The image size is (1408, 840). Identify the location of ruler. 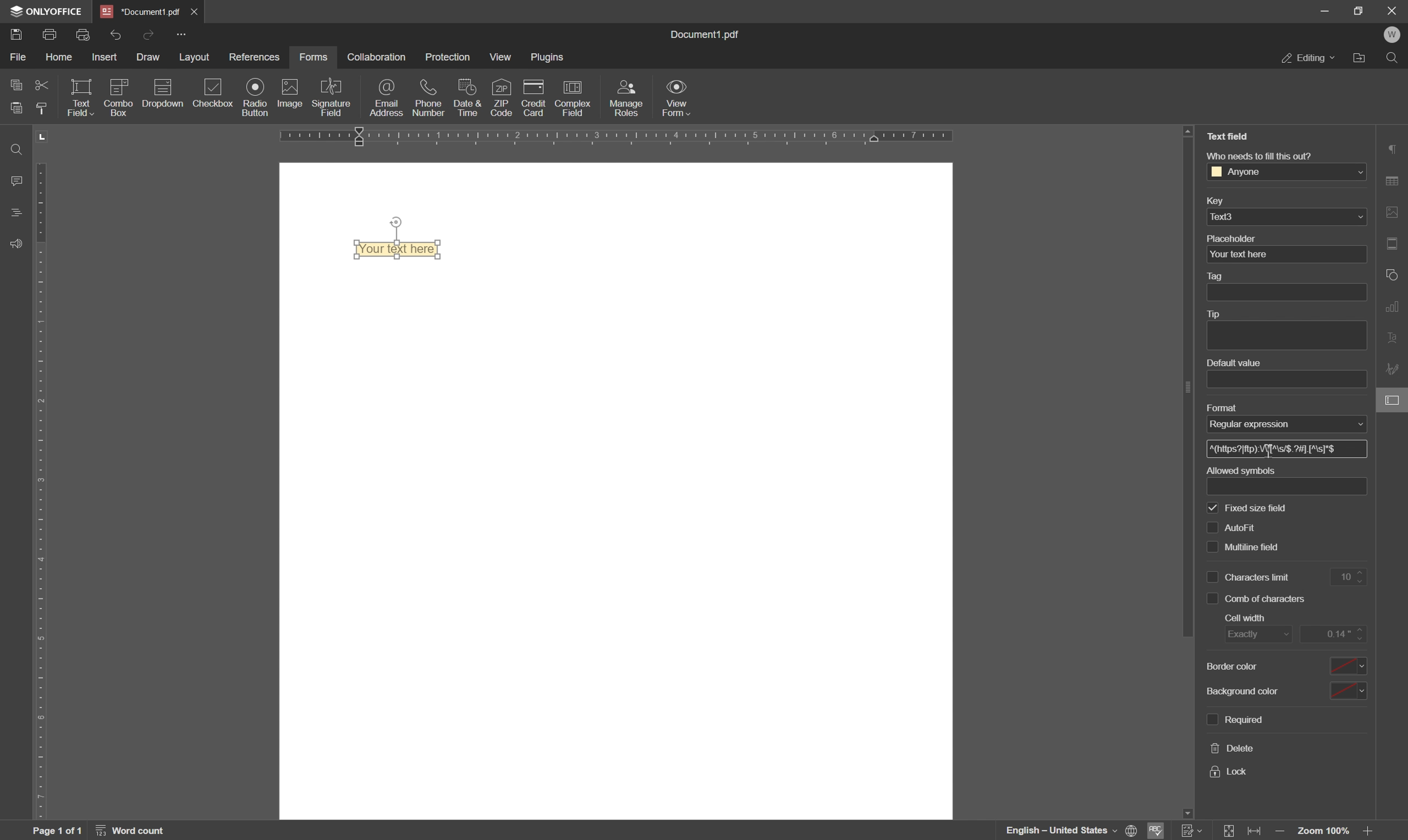
(659, 138).